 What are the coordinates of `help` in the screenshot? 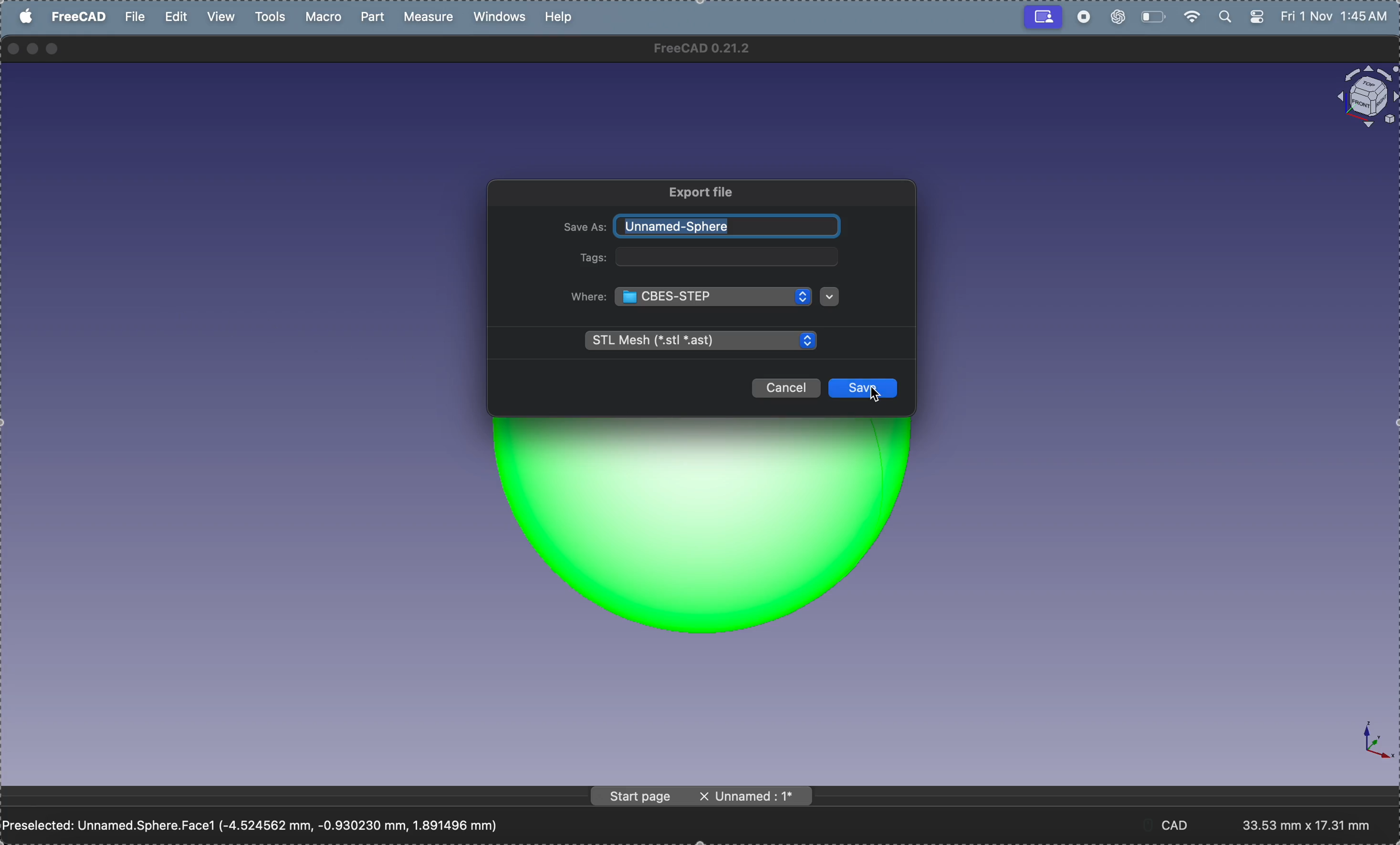 It's located at (561, 16).